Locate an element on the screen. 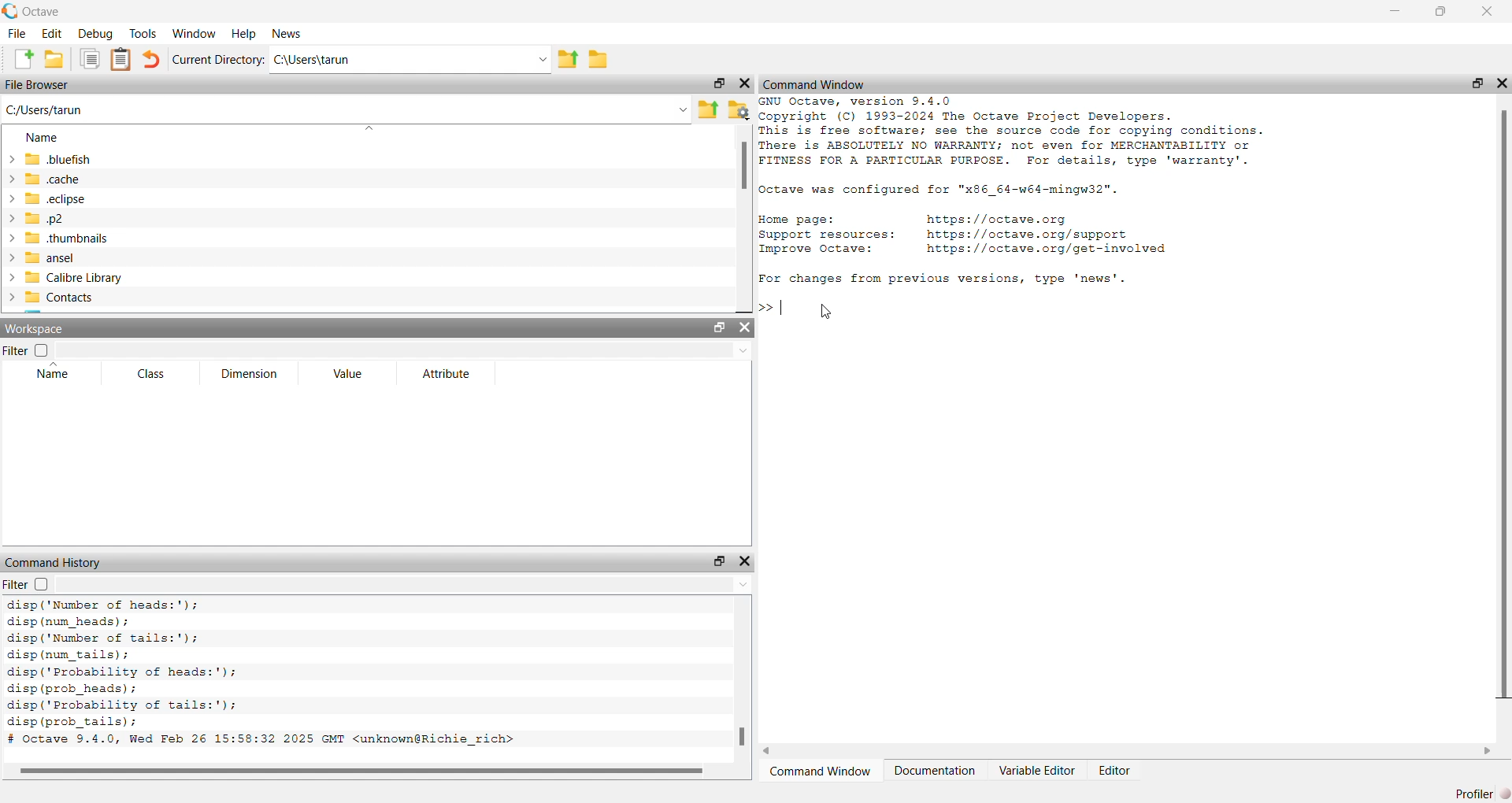  restore is located at coordinates (1442, 12).